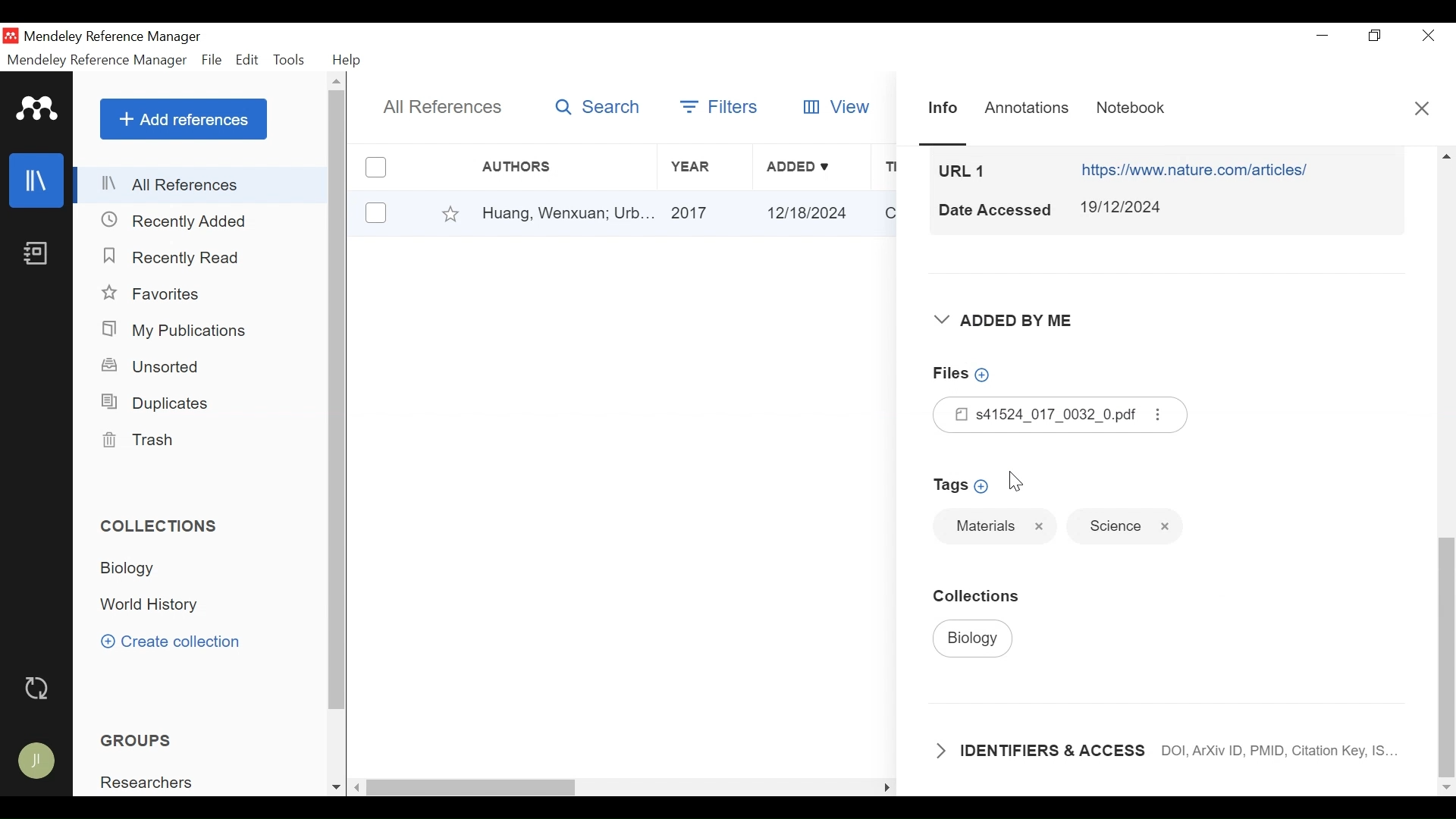 This screenshot has height=819, width=1456. I want to click on Mendeley Reference Manager, so click(118, 37).